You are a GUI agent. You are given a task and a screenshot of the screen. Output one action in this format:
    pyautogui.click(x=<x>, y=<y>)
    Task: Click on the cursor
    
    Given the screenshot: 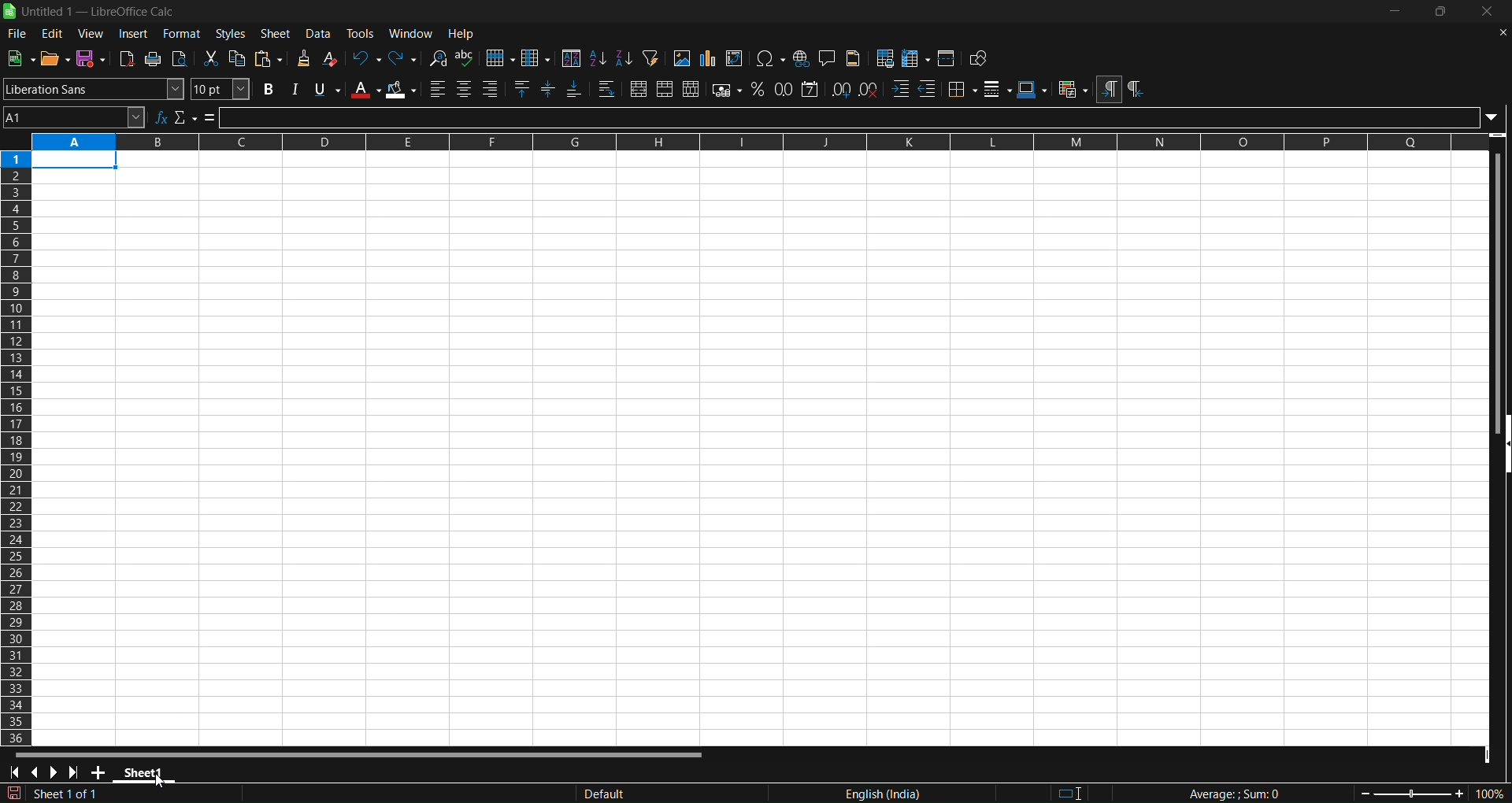 What is the action you would take?
    pyautogui.click(x=163, y=782)
    